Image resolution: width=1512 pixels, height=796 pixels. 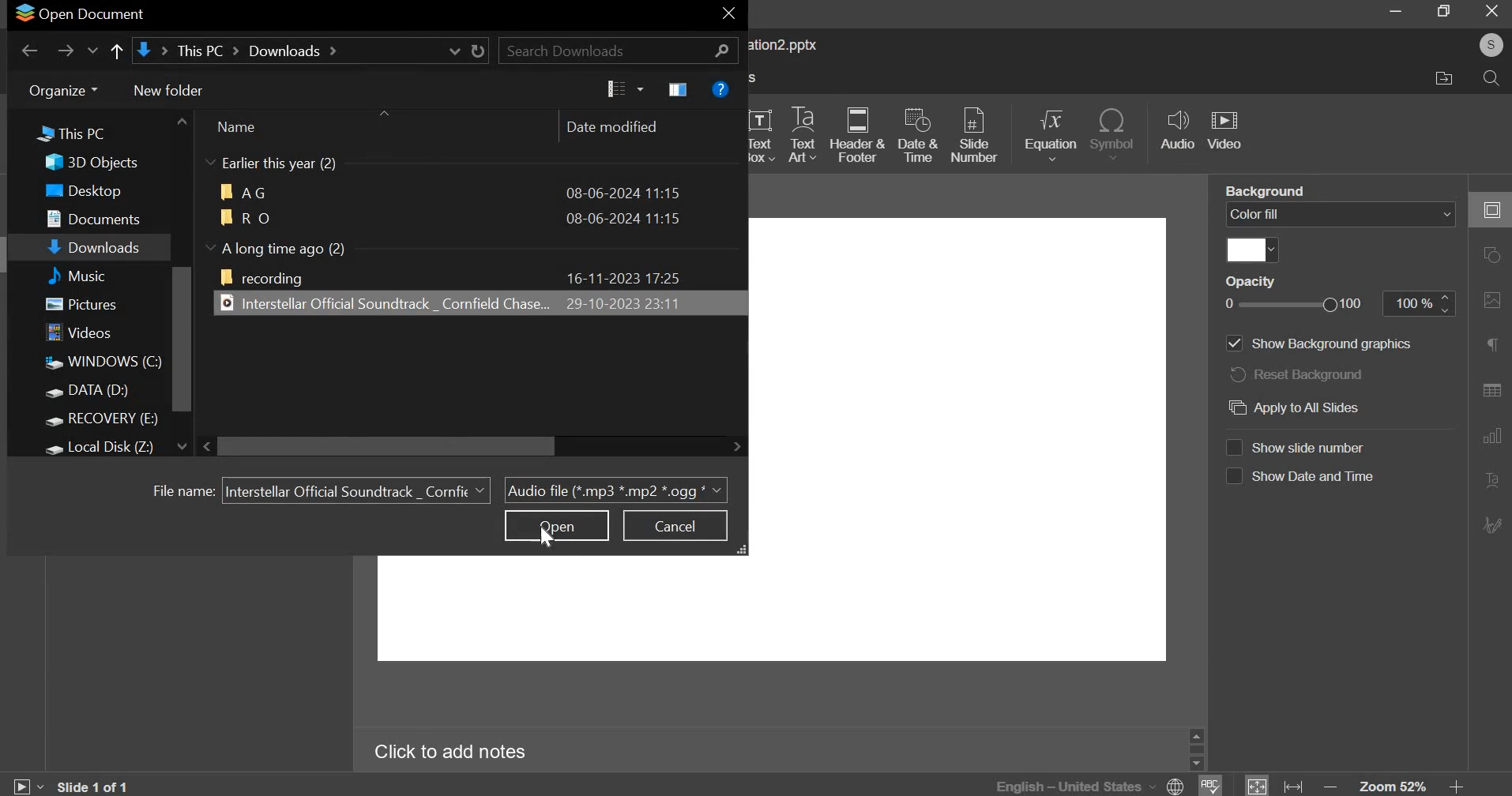 What do you see at coordinates (976, 133) in the screenshot?
I see `slide number` at bounding box center [976, 133].